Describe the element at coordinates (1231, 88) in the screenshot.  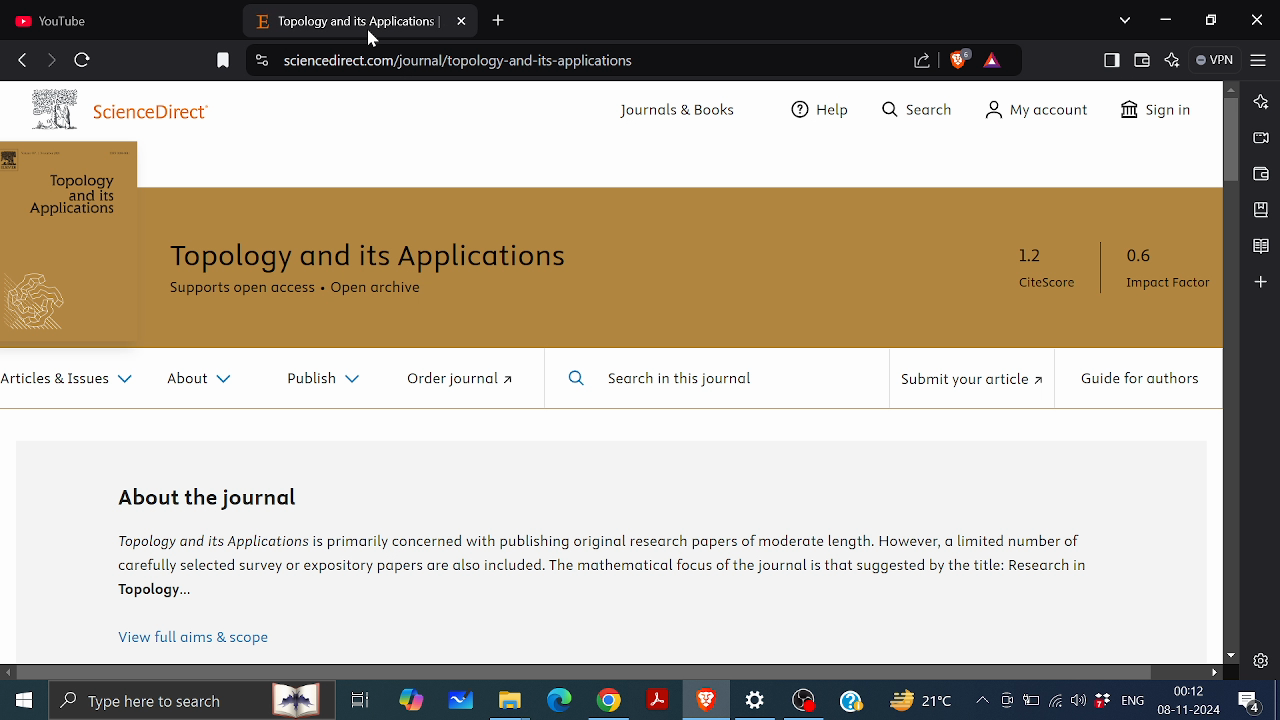
I see `Move up` at that location.